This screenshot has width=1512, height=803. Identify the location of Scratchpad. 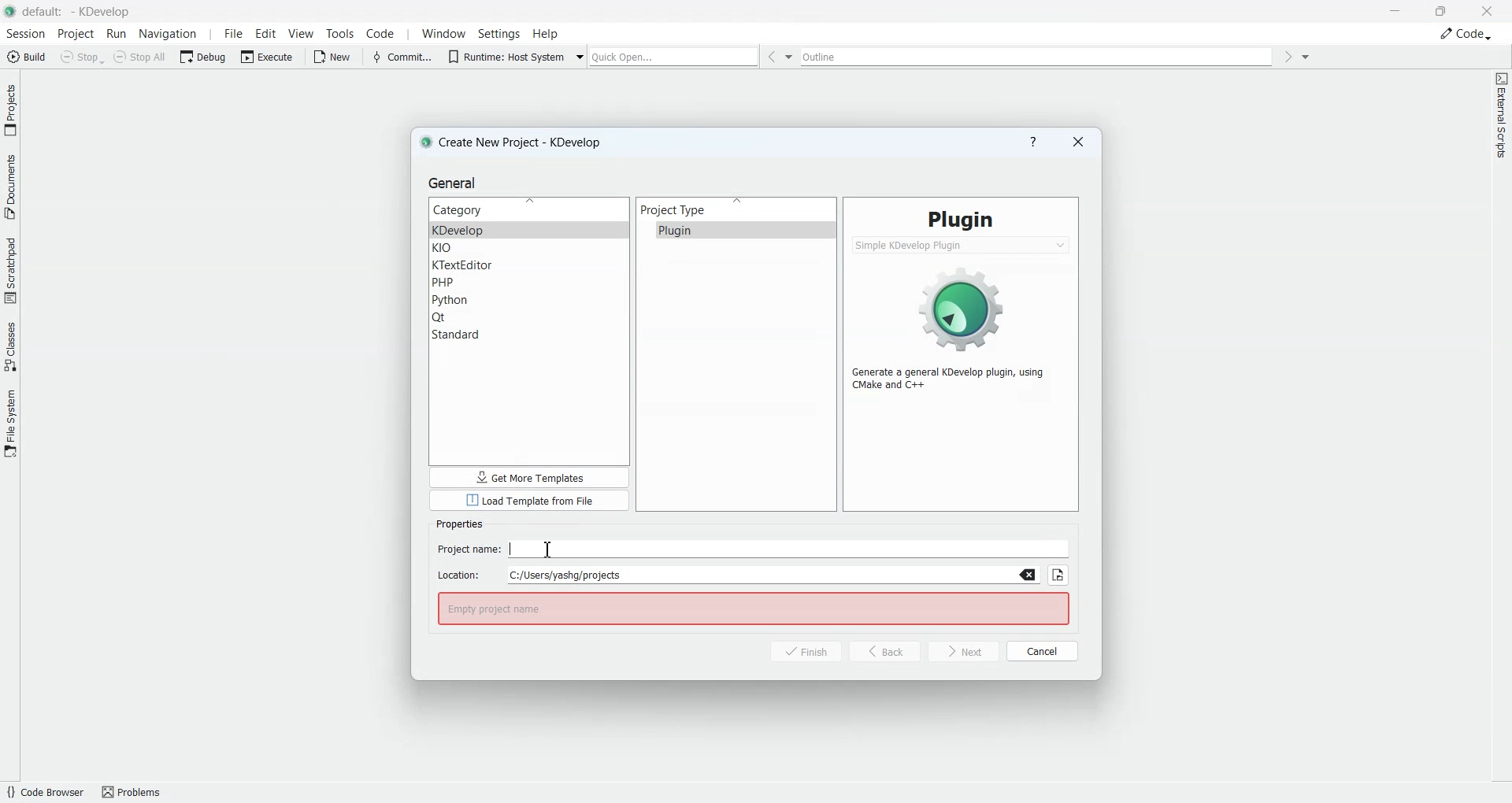
(10, 269).